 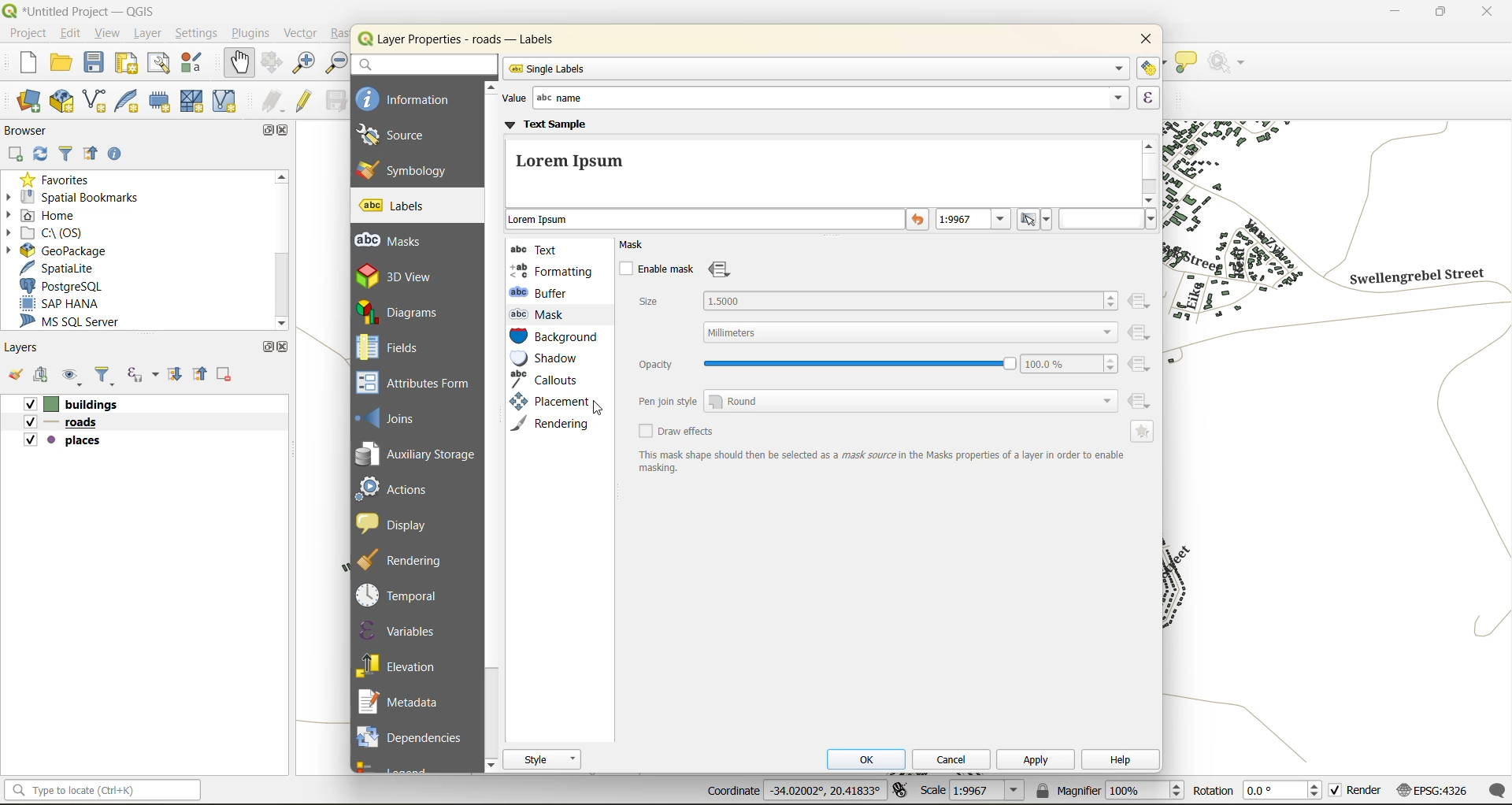 What do you see at coordinates (274, 101) in the screenshot?
I see `edits` at bounding box center [274, 101].